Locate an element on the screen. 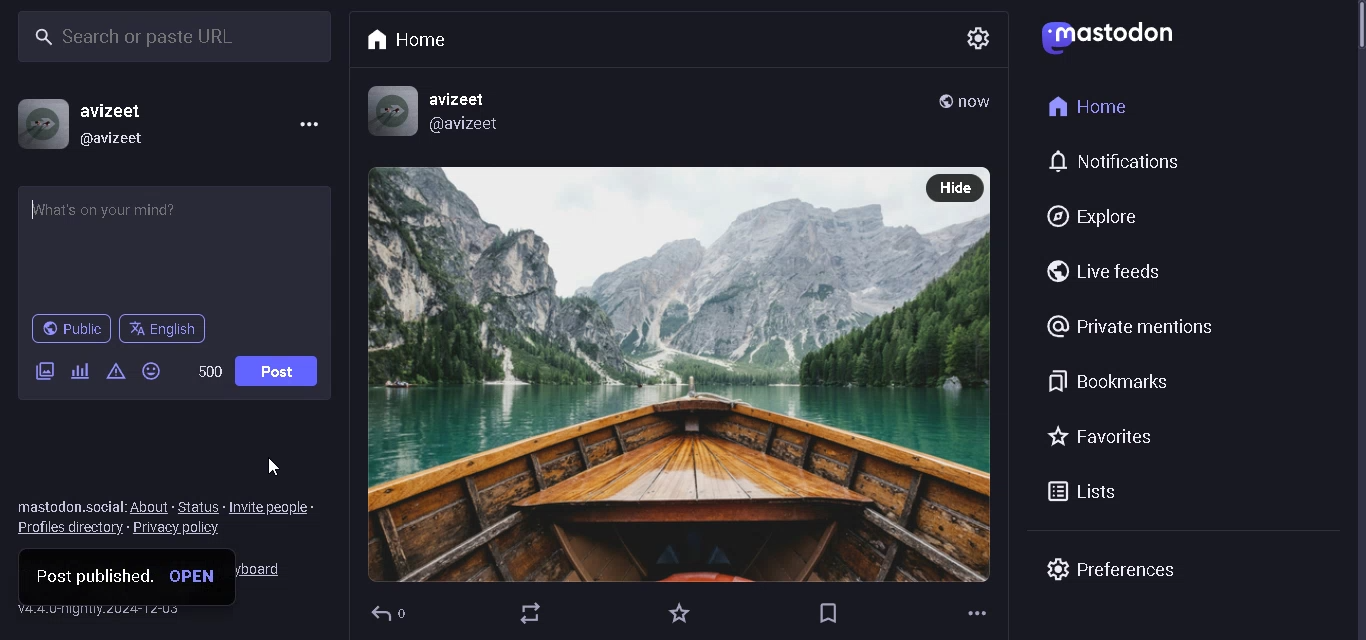 This screenshot has height=640, width=1366. lists is located at coordinates (1091, 492).